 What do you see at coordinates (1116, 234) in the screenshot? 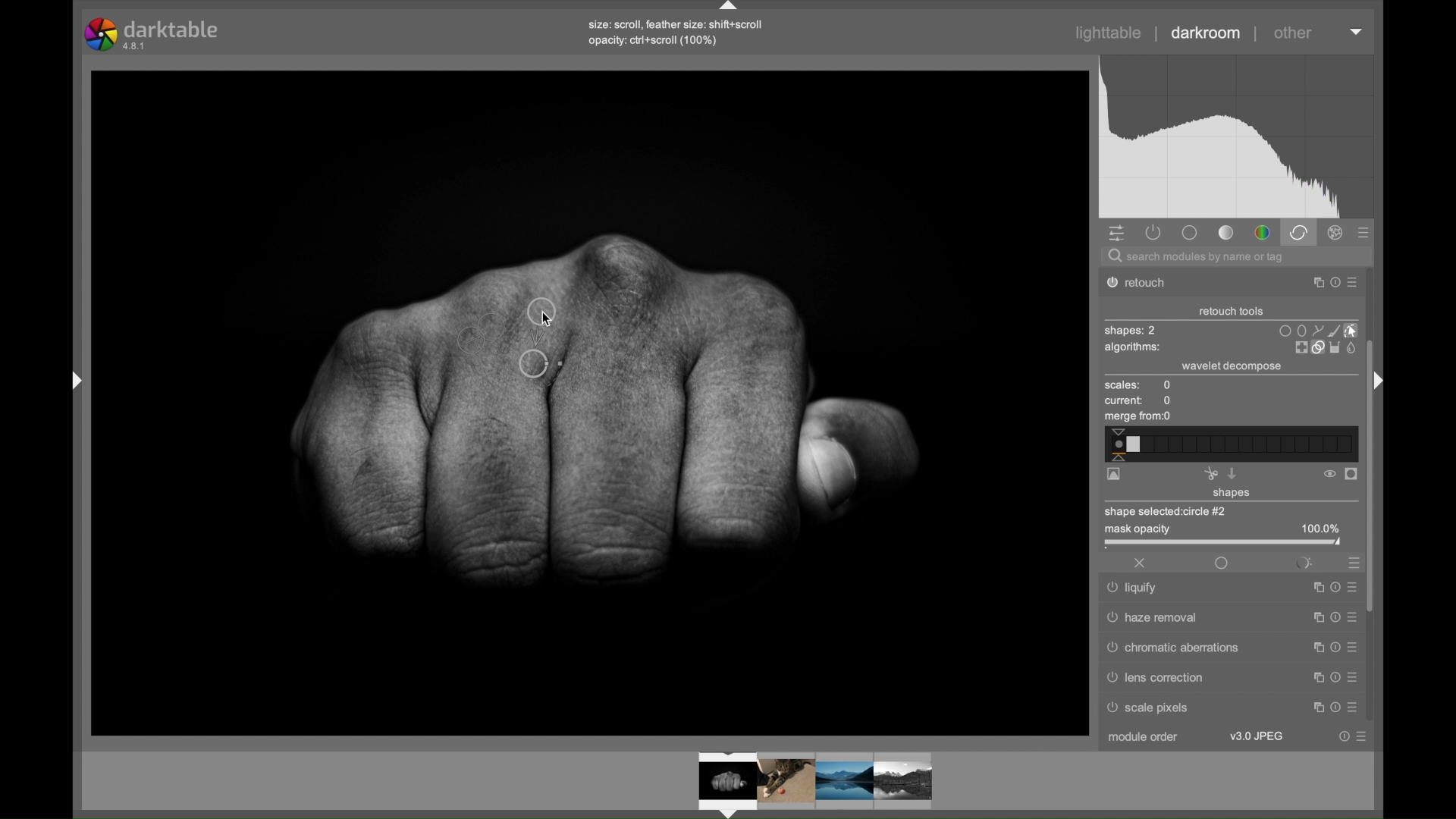
I see `show quick panel` at bounding box center [1116, 234].